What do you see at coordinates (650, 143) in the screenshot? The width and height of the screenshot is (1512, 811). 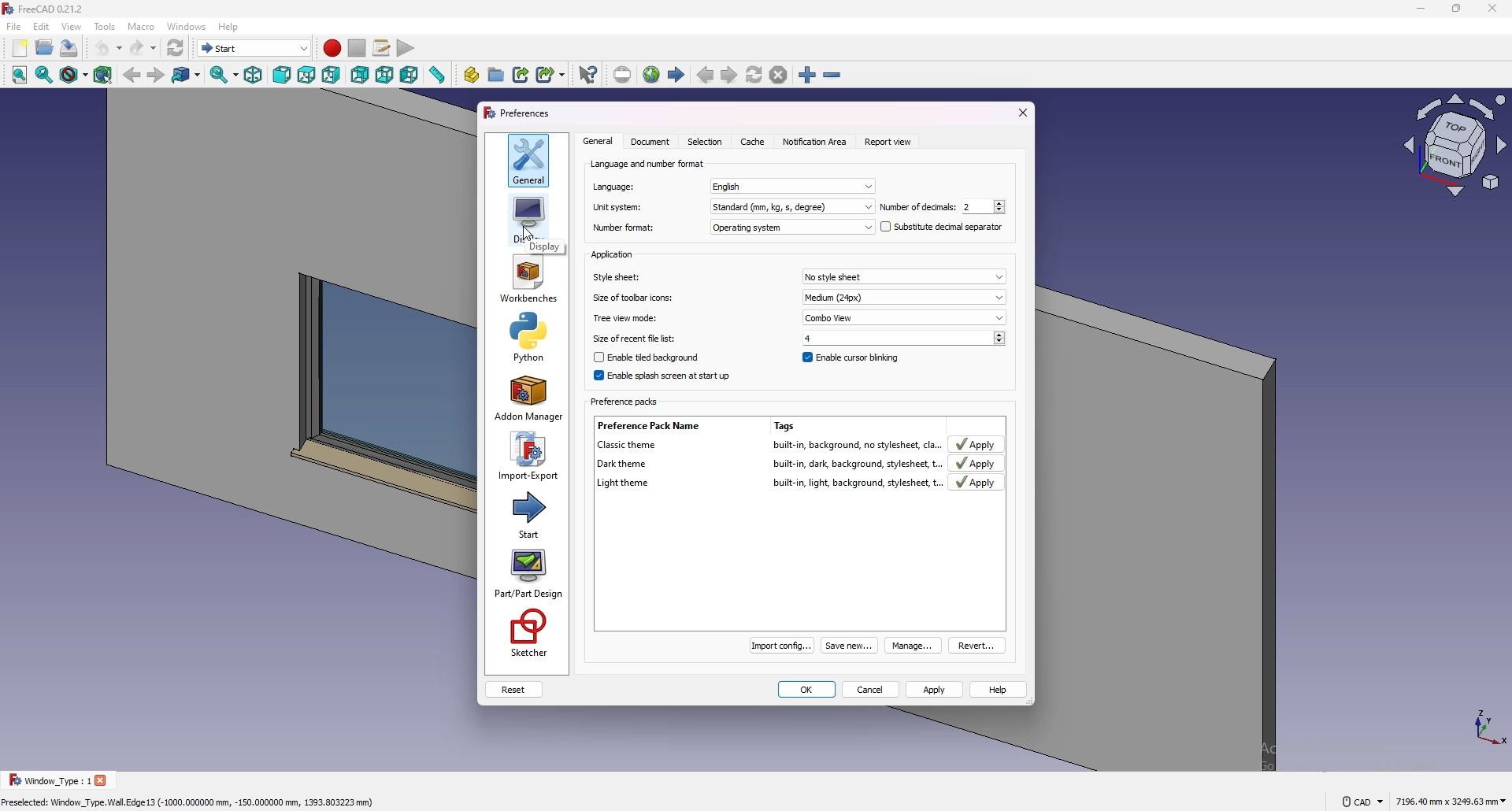 I see `Document` at bounding box center [650, 143].